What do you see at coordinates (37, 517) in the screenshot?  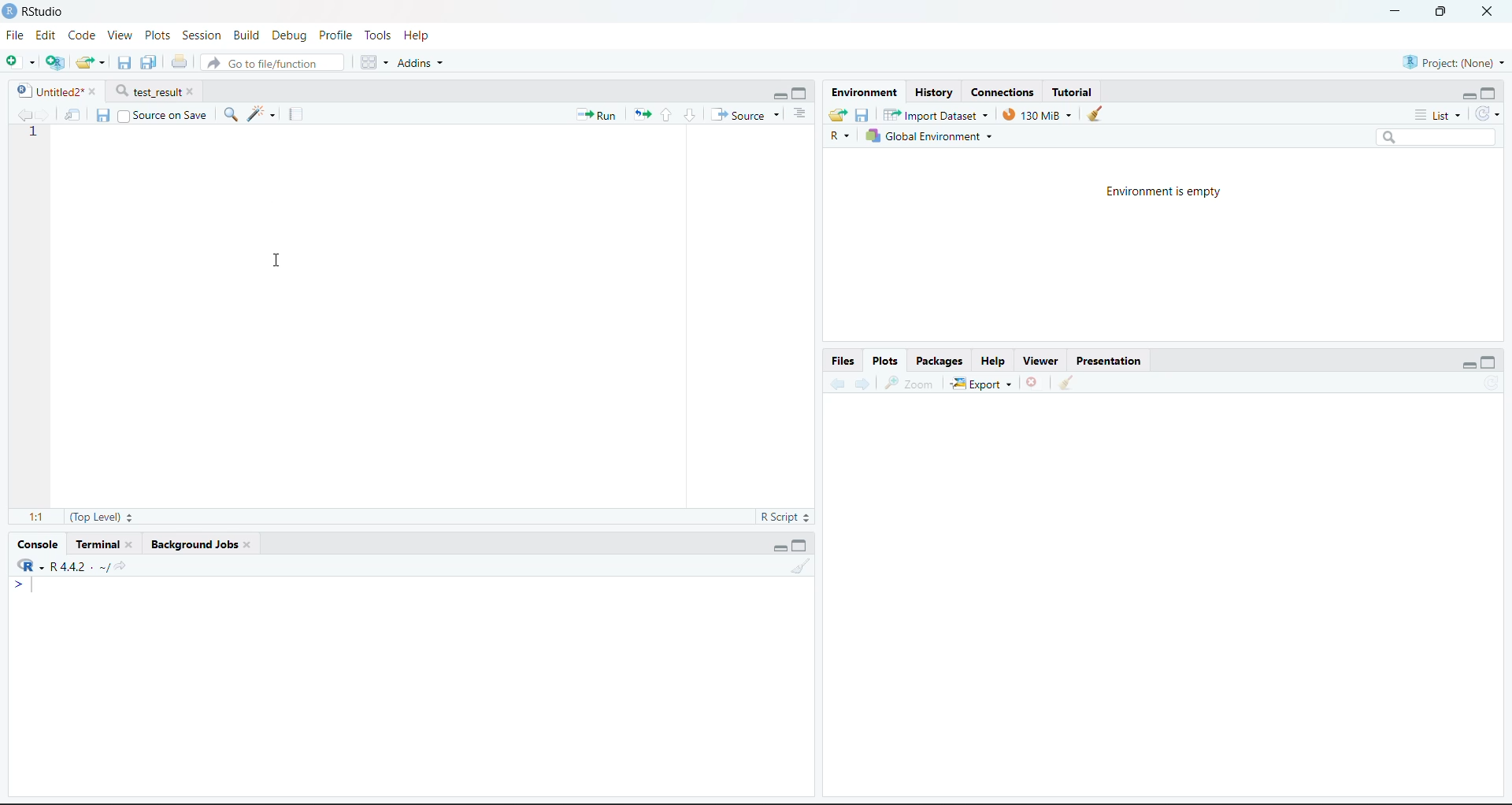 I see `1:1` at bounding box center [37, 517].